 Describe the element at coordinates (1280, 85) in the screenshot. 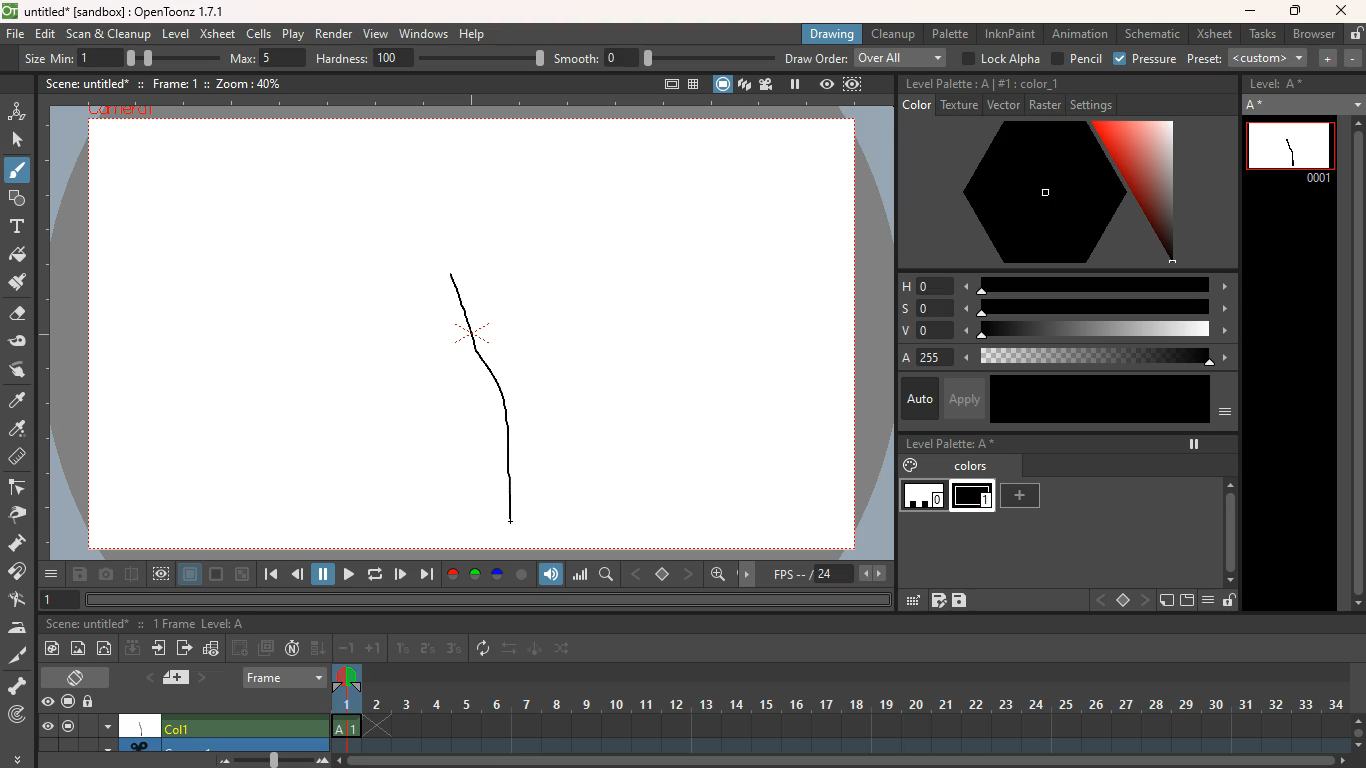

I see `Level: A*` at that location.